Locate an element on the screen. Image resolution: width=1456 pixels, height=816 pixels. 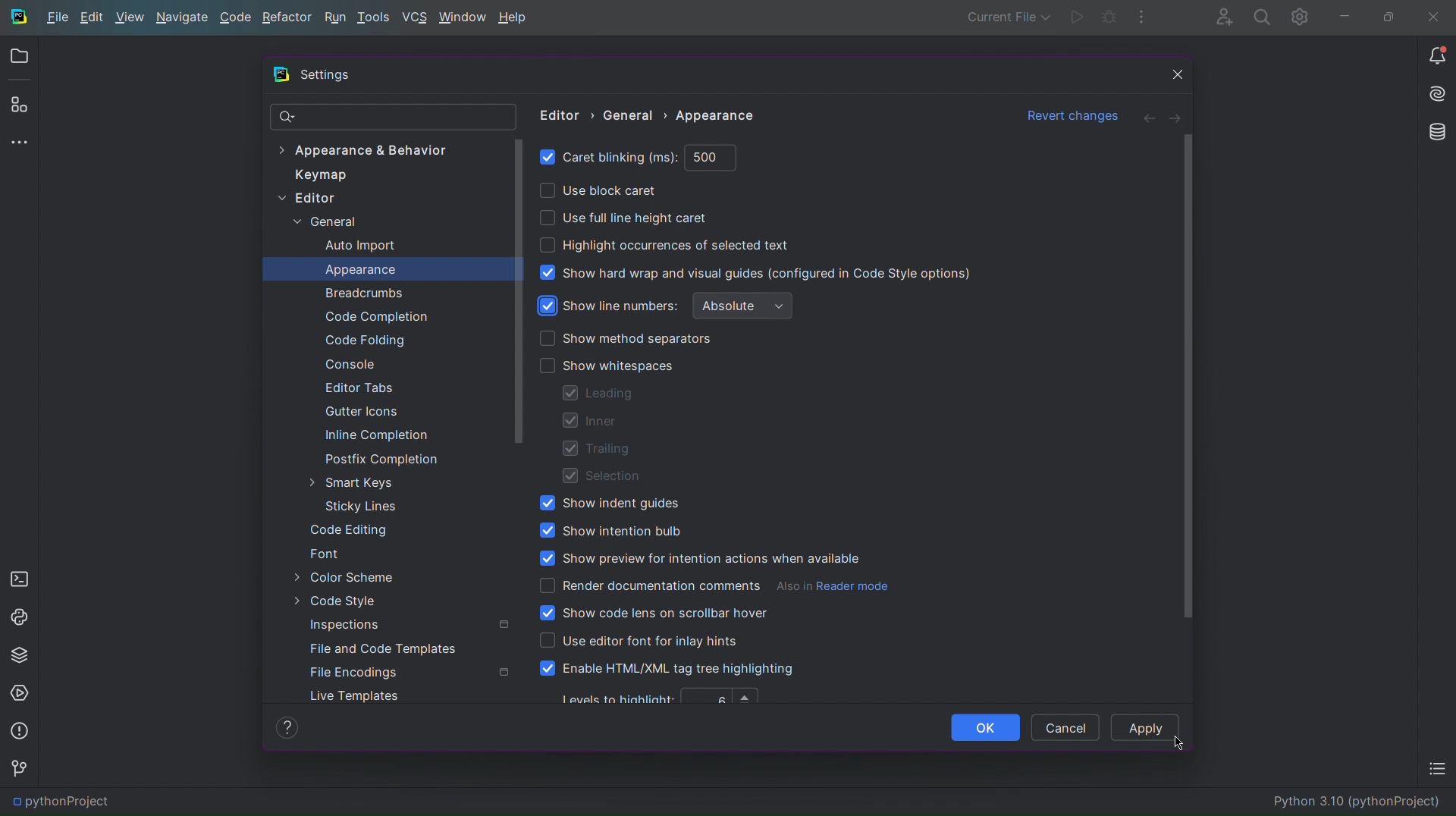
Notifications is located at coordinates (1435, 55).